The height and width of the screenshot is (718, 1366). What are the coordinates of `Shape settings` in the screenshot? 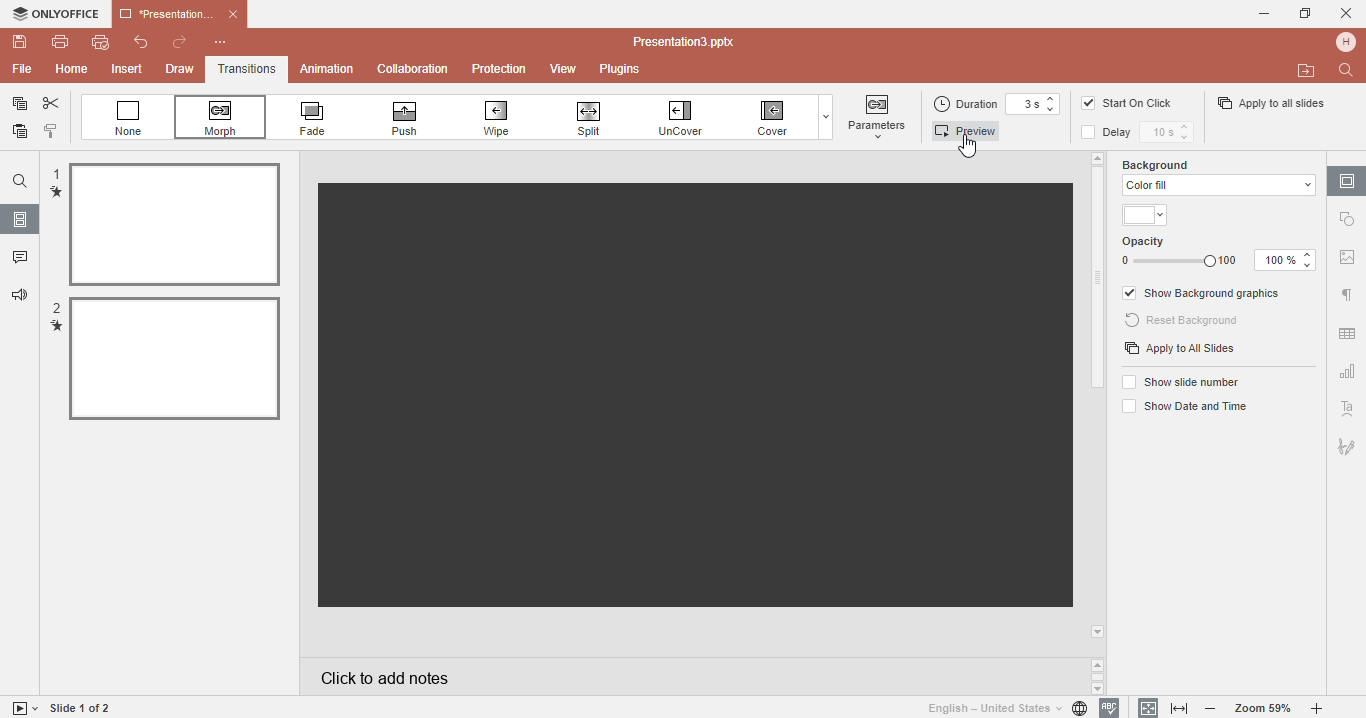 It's located at (1349, 219).